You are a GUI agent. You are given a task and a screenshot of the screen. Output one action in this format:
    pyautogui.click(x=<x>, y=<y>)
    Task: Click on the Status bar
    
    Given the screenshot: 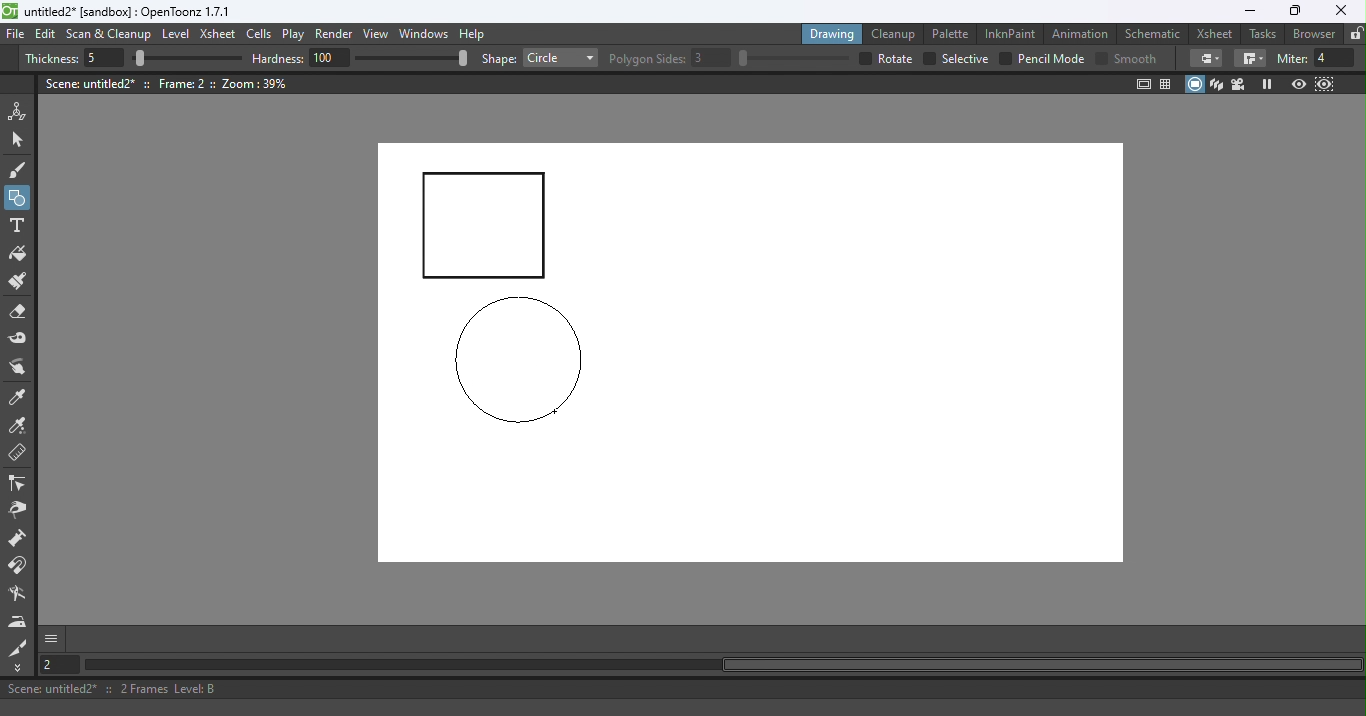 What is the action you would take?
    pyautogui.click(x=683, y=689)
    